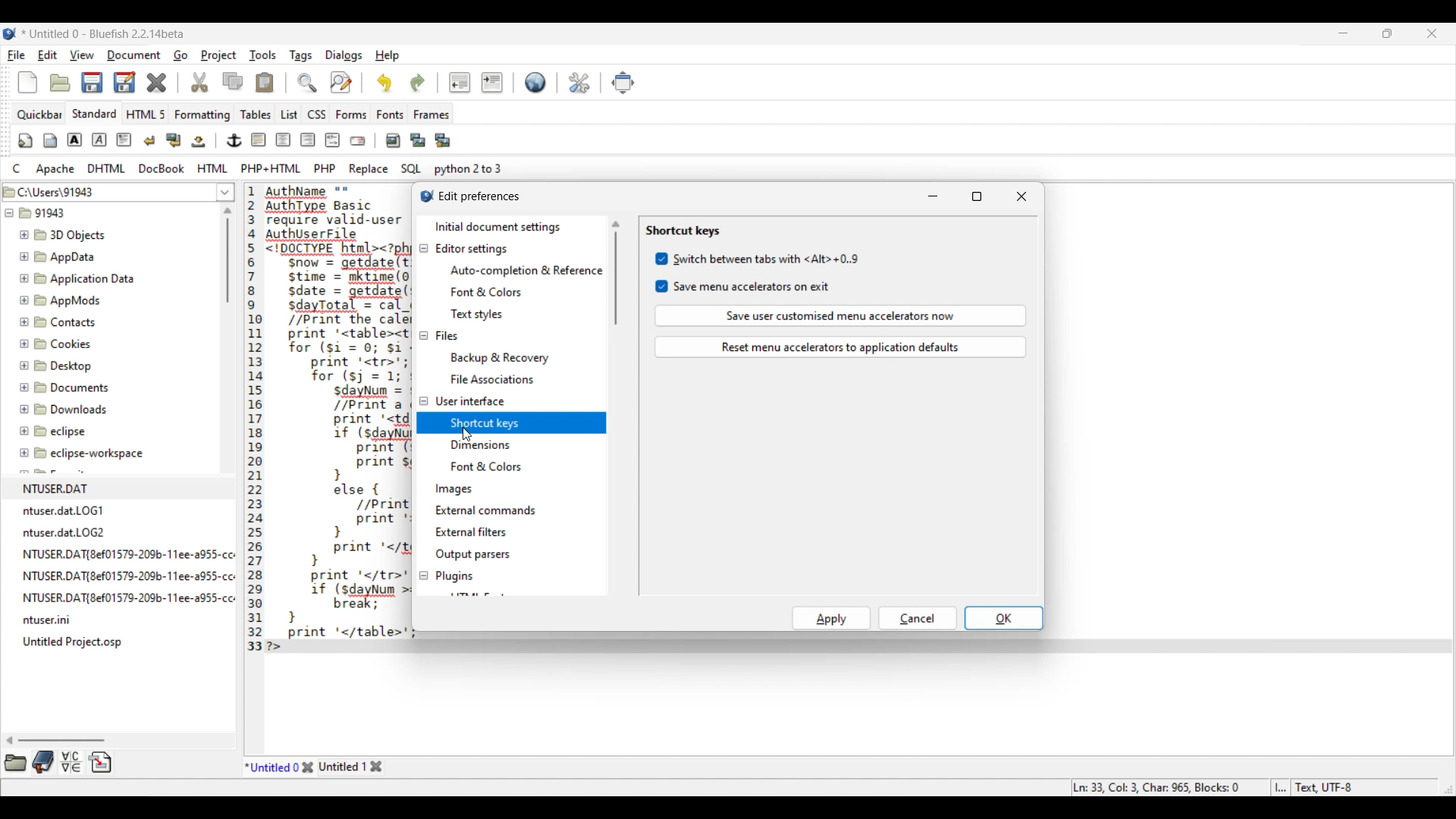 The width and height of the screenshot is (1456, 819). What do you see at coordinates (58, 762) in the screenshot?
I see `More tool options` at bounding box center [58, 762].